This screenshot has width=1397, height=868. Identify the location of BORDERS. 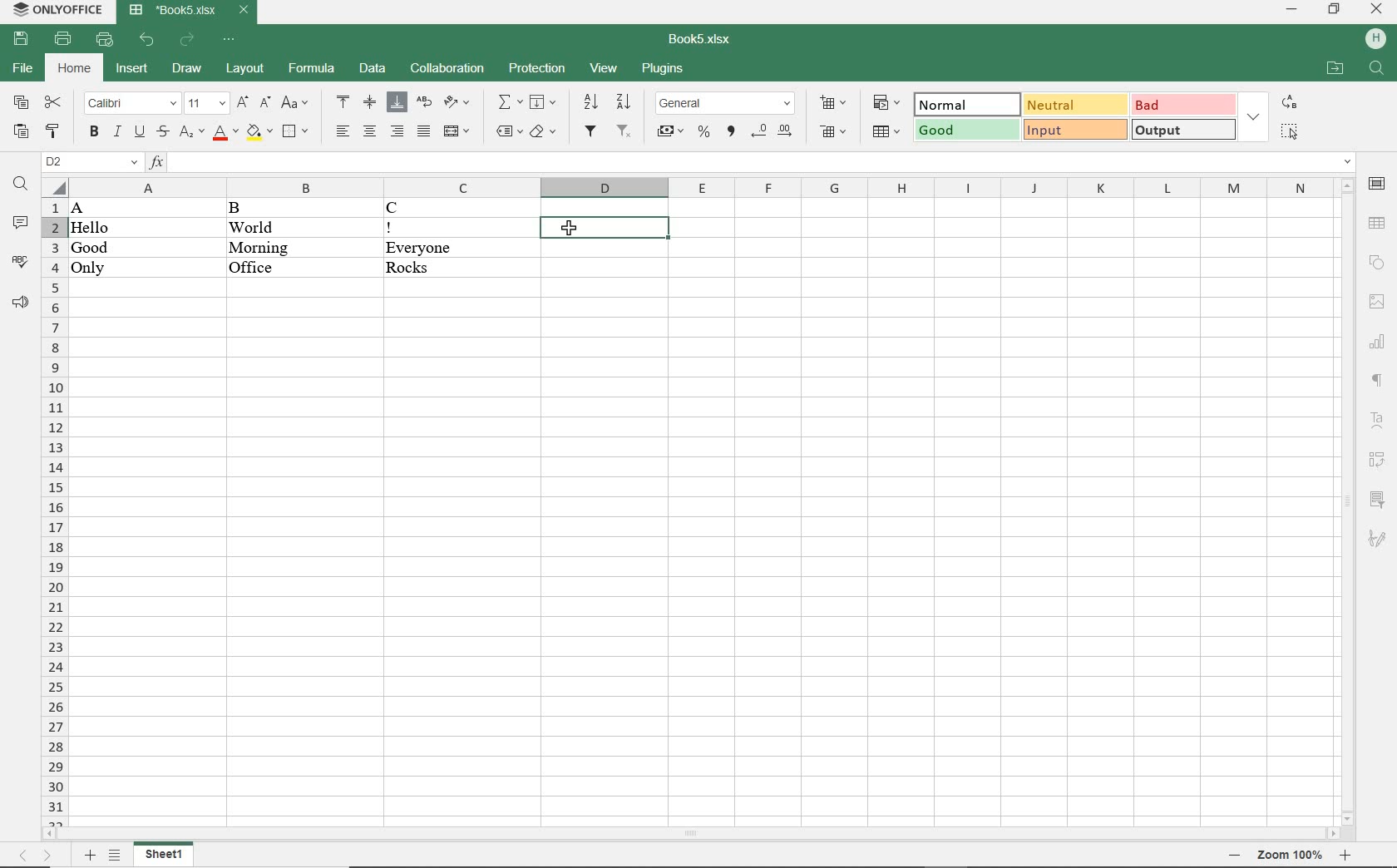
(295, 131).